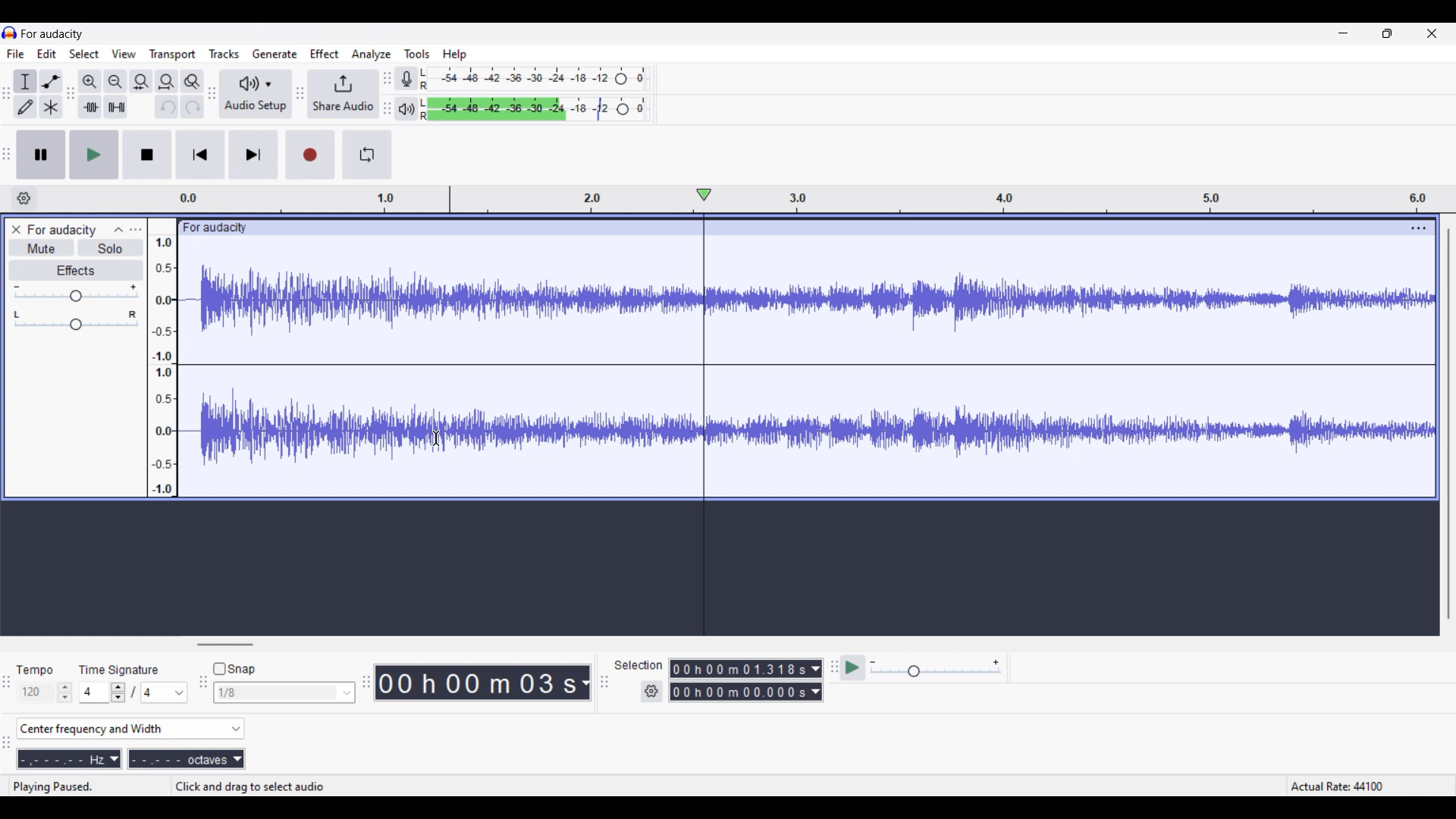 The image size is (1456, 819). What do you see at coordinates (367, 155) in the screenshot?
I see `Enable looping` at bounding box center [367, 155].